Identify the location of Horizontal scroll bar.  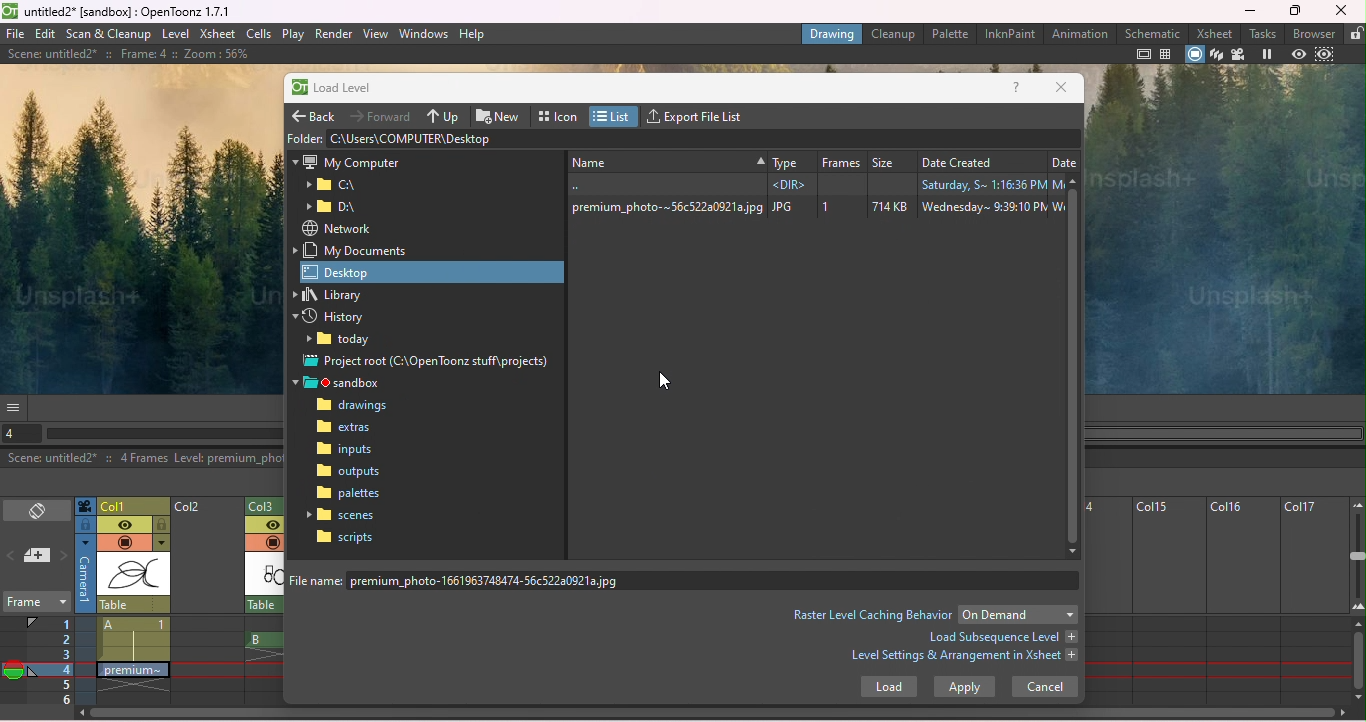
(164, 434).